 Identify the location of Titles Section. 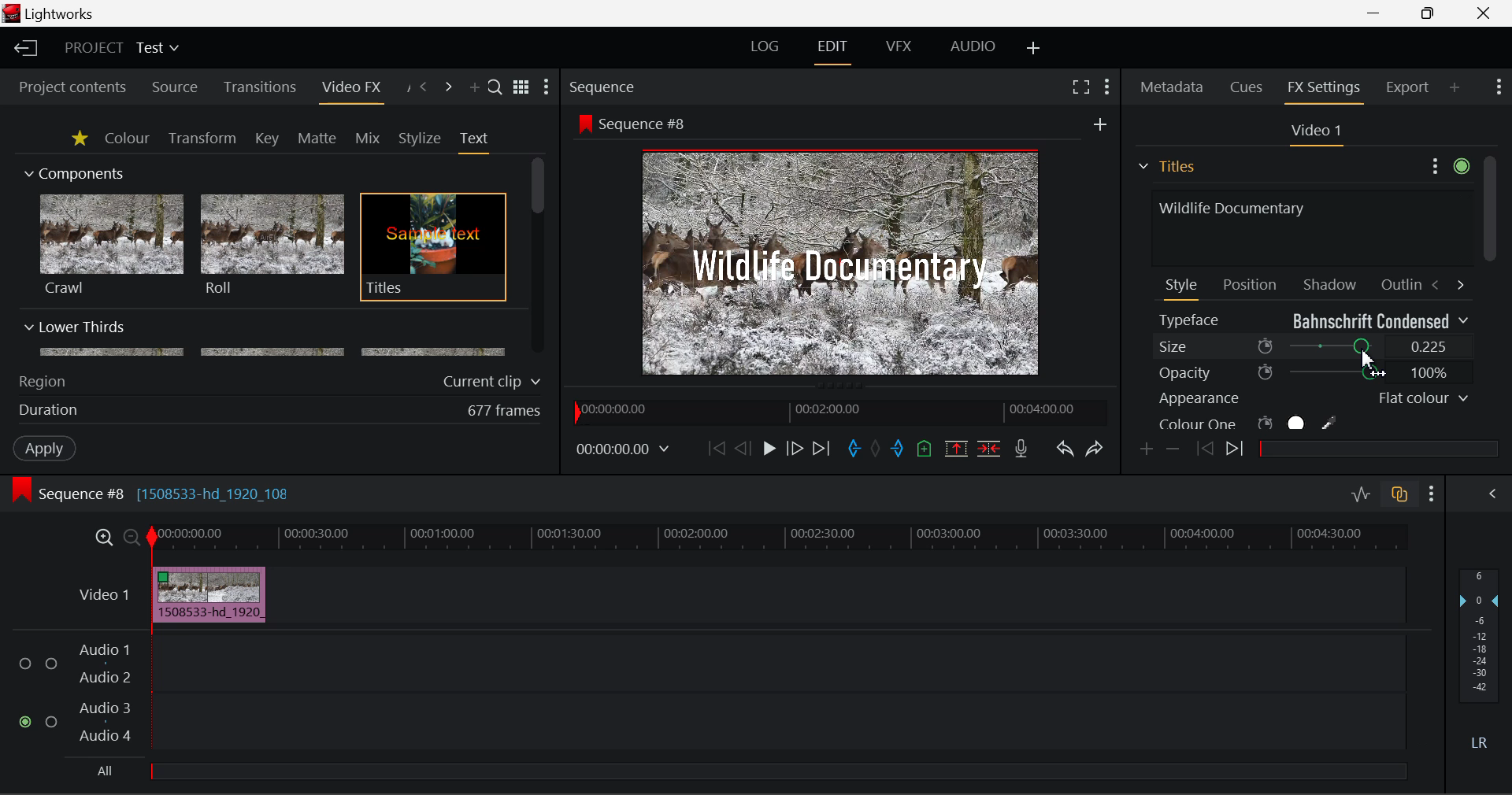
(1166, 166).